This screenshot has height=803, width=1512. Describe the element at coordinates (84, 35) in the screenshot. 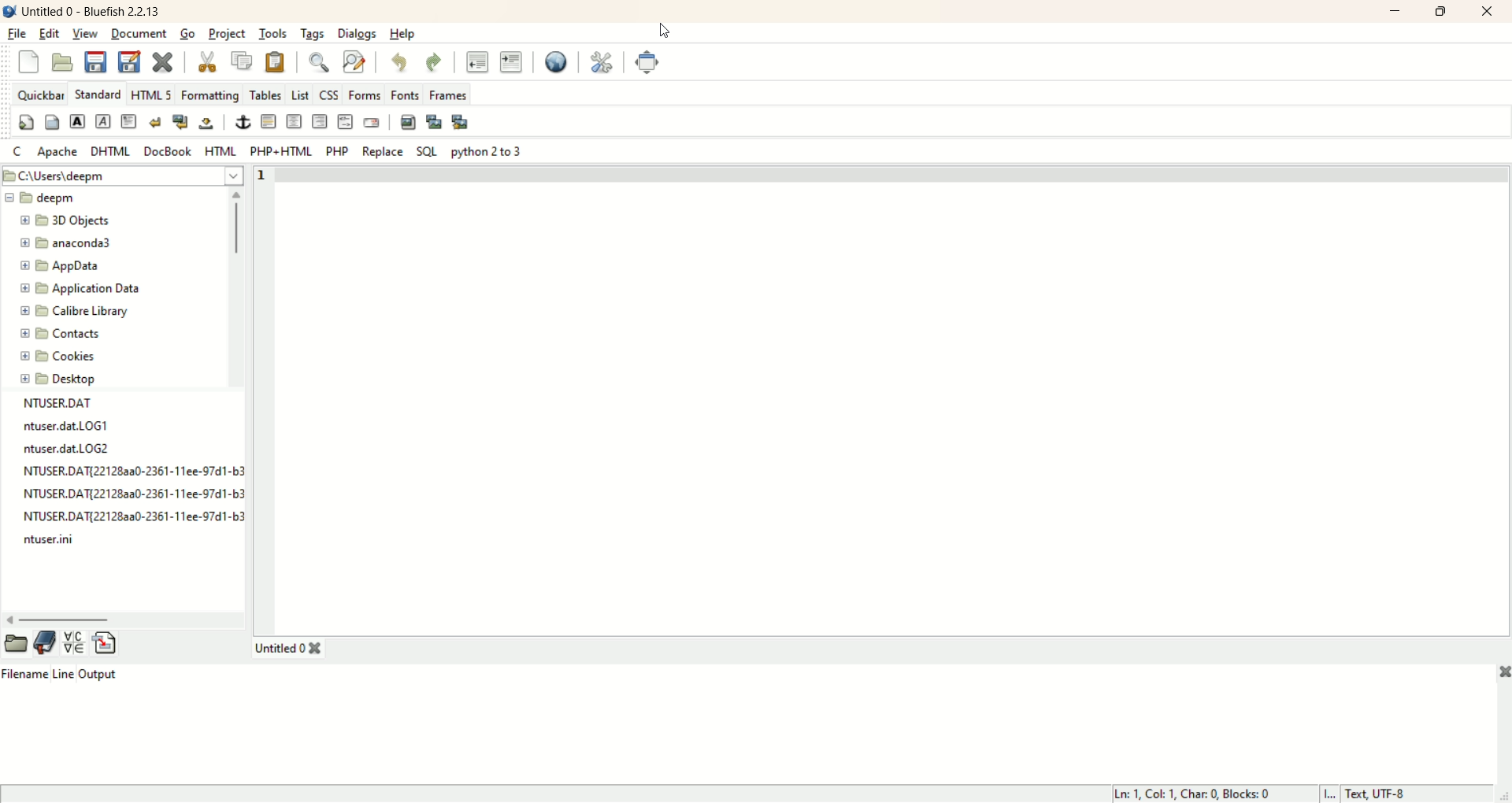

I see `view` at that location.